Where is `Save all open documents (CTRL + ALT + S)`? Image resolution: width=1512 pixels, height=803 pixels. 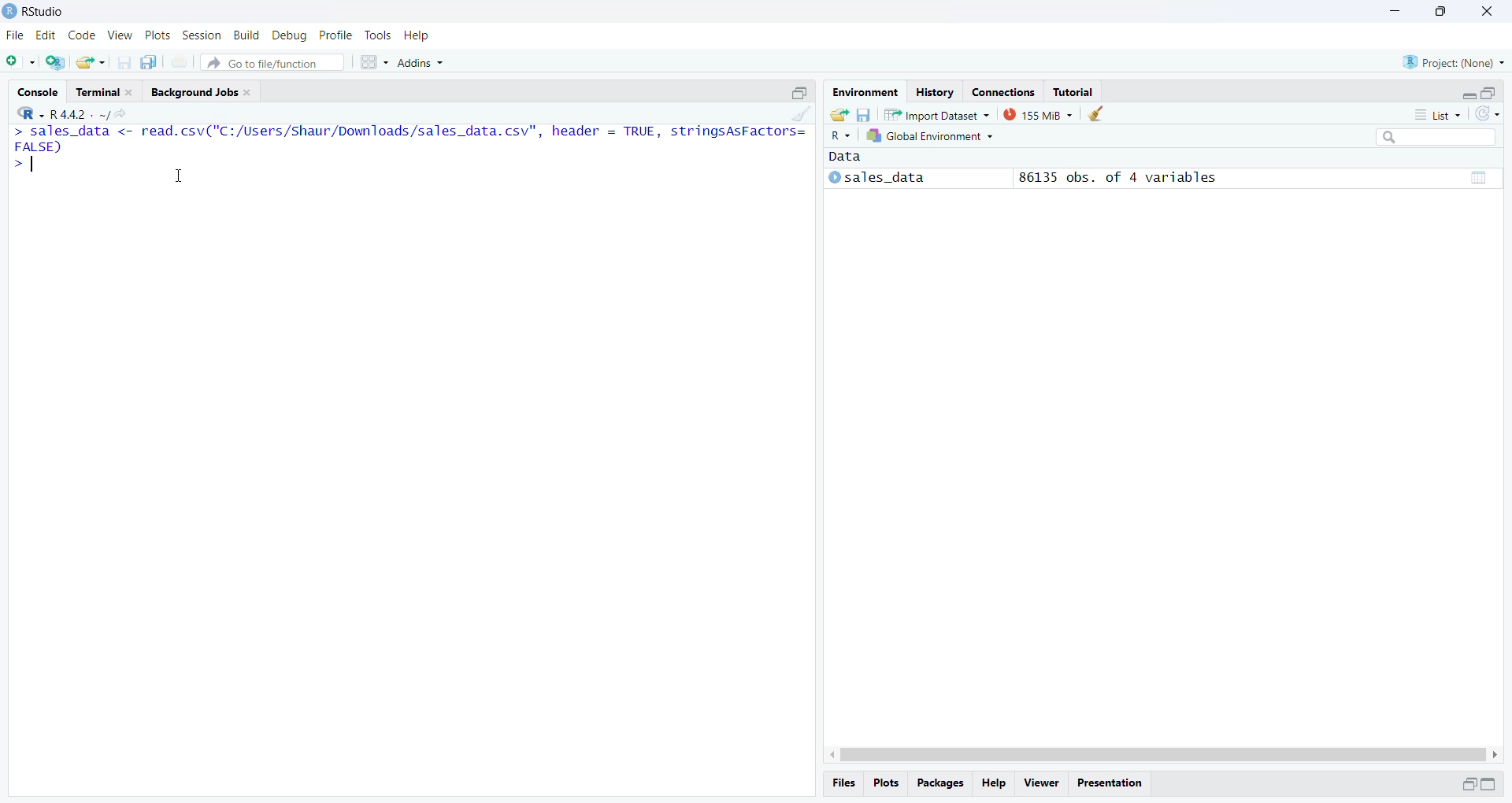 Save all open documents (CTRL + ALT + S) is located at coordinates (150, 63).